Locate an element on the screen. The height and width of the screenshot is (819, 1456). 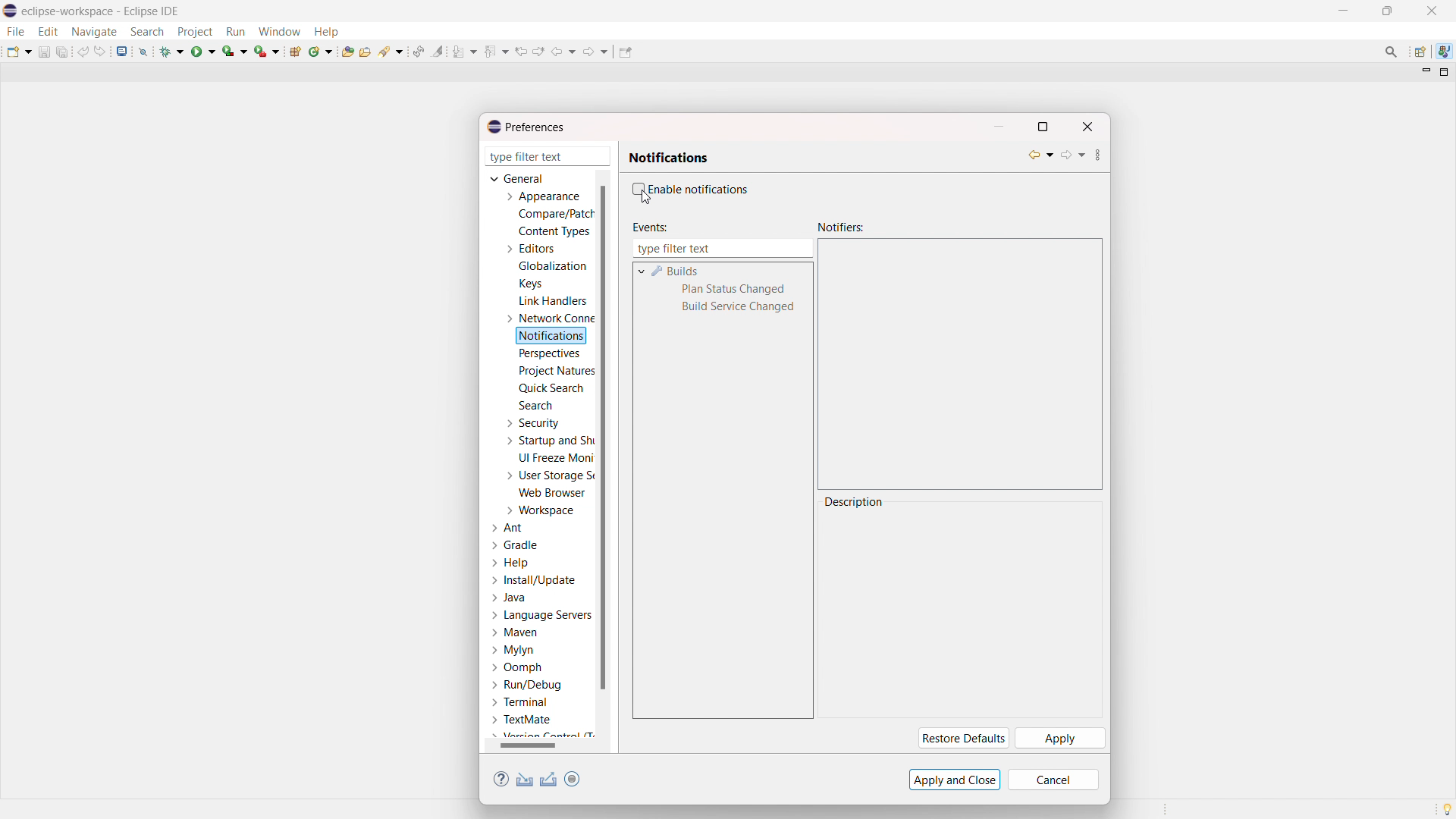
ant is located at coordinates (509, 529).